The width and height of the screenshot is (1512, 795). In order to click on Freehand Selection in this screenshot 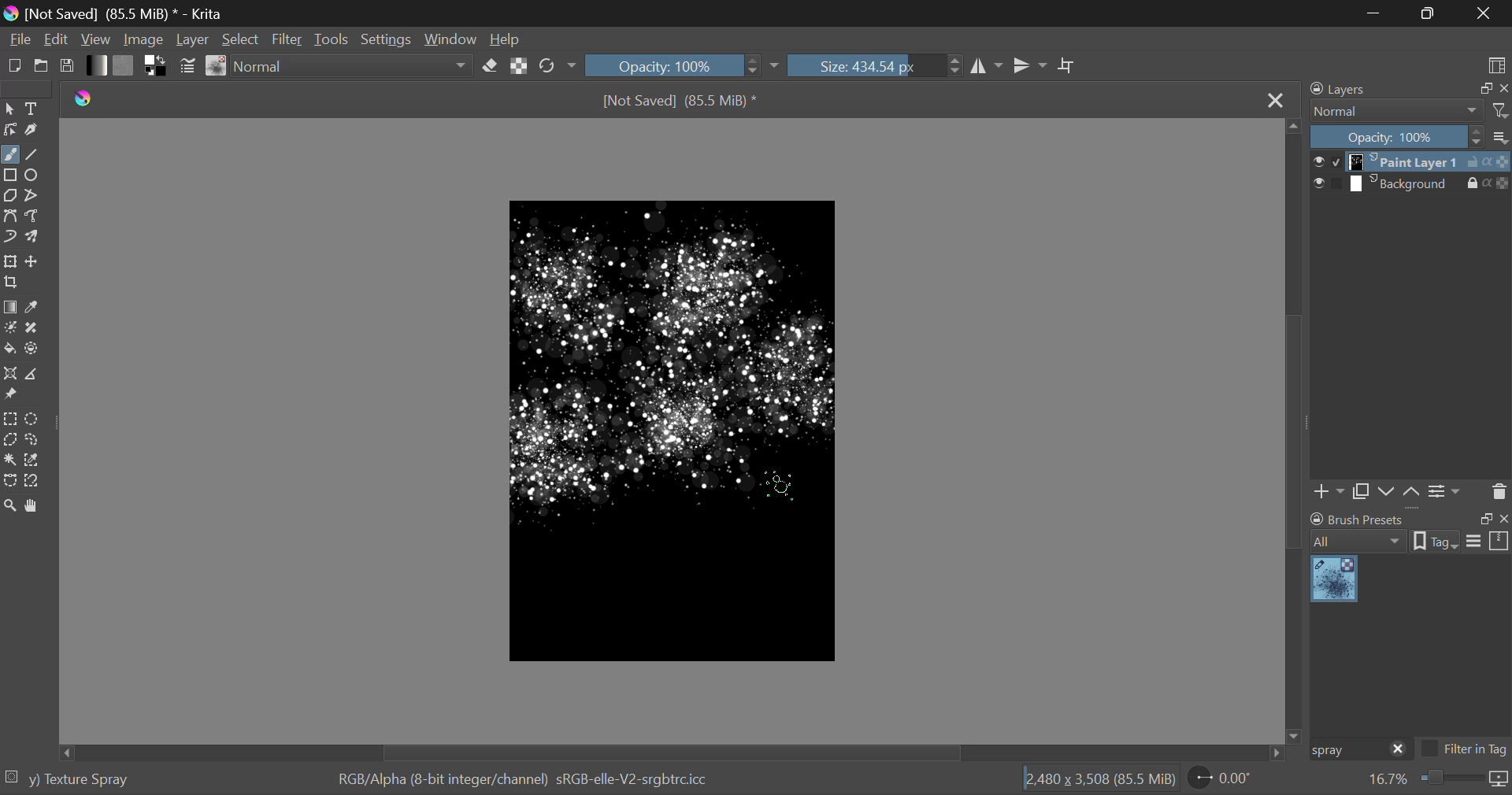, I will do `click(33, 439)`.